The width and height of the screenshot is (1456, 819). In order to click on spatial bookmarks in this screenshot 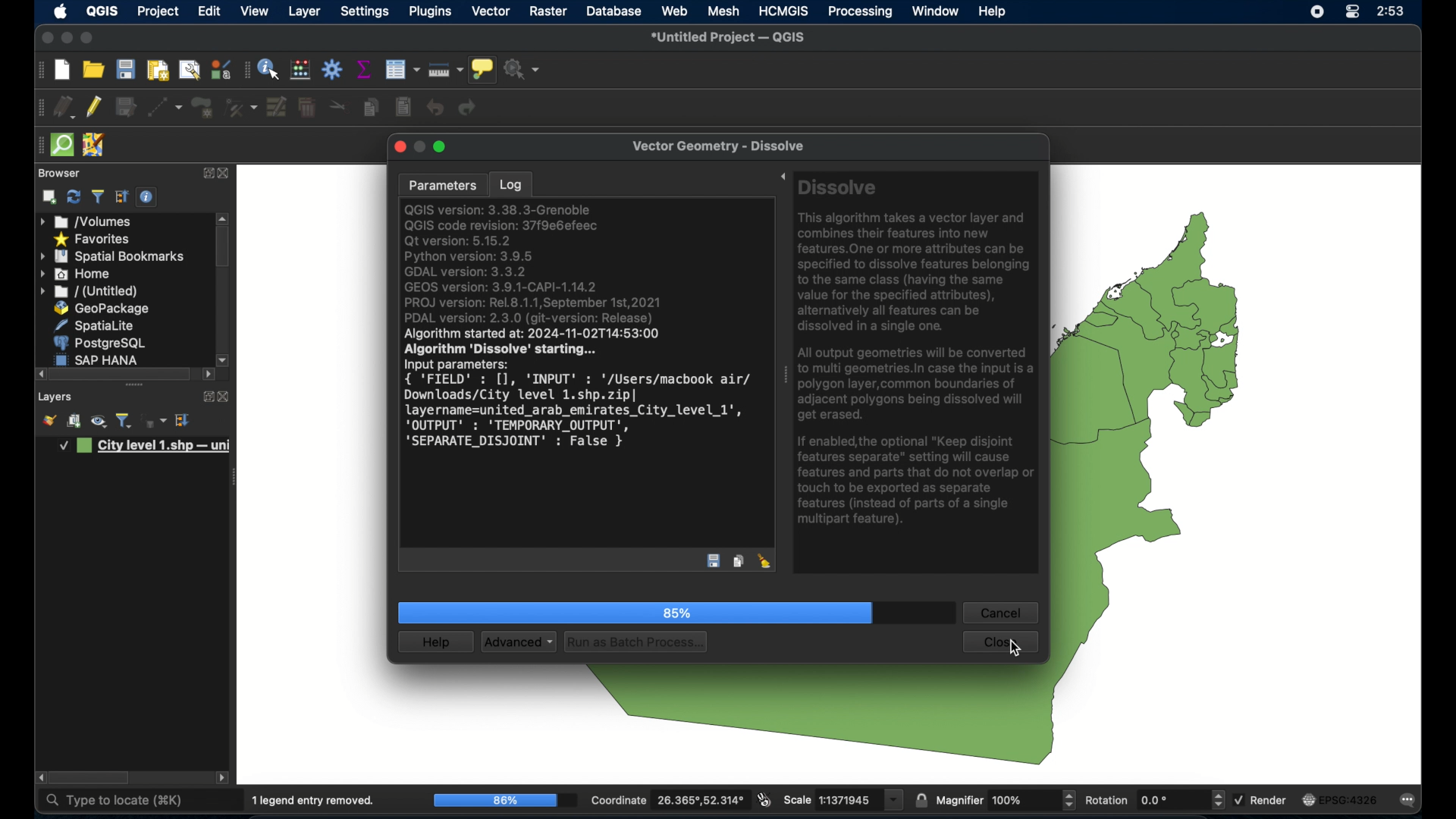, I will do `click(111, 257)`.